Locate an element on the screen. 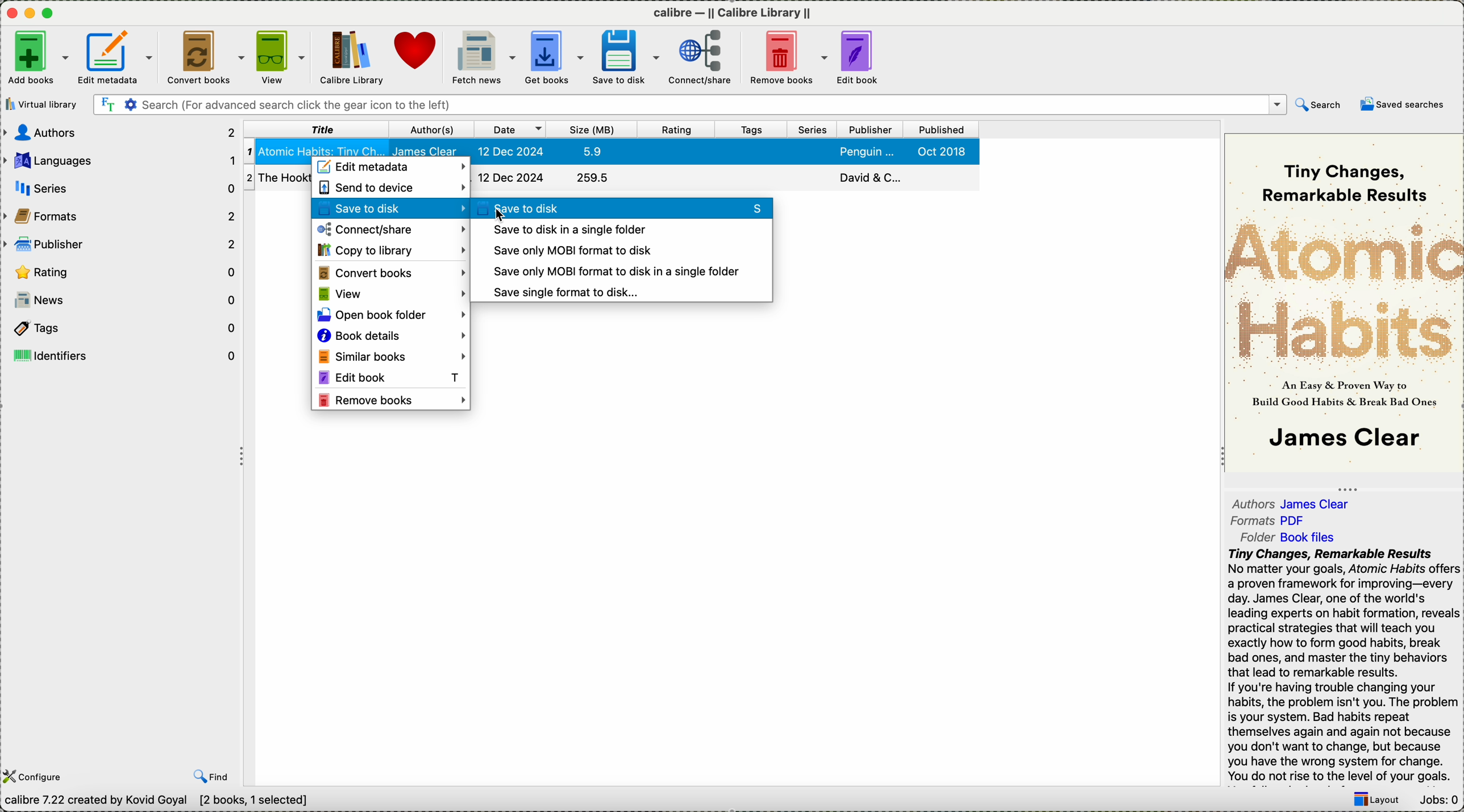 The height and width of the screenshot is (812, 1464). formats is located at coordinates (1271, 522).